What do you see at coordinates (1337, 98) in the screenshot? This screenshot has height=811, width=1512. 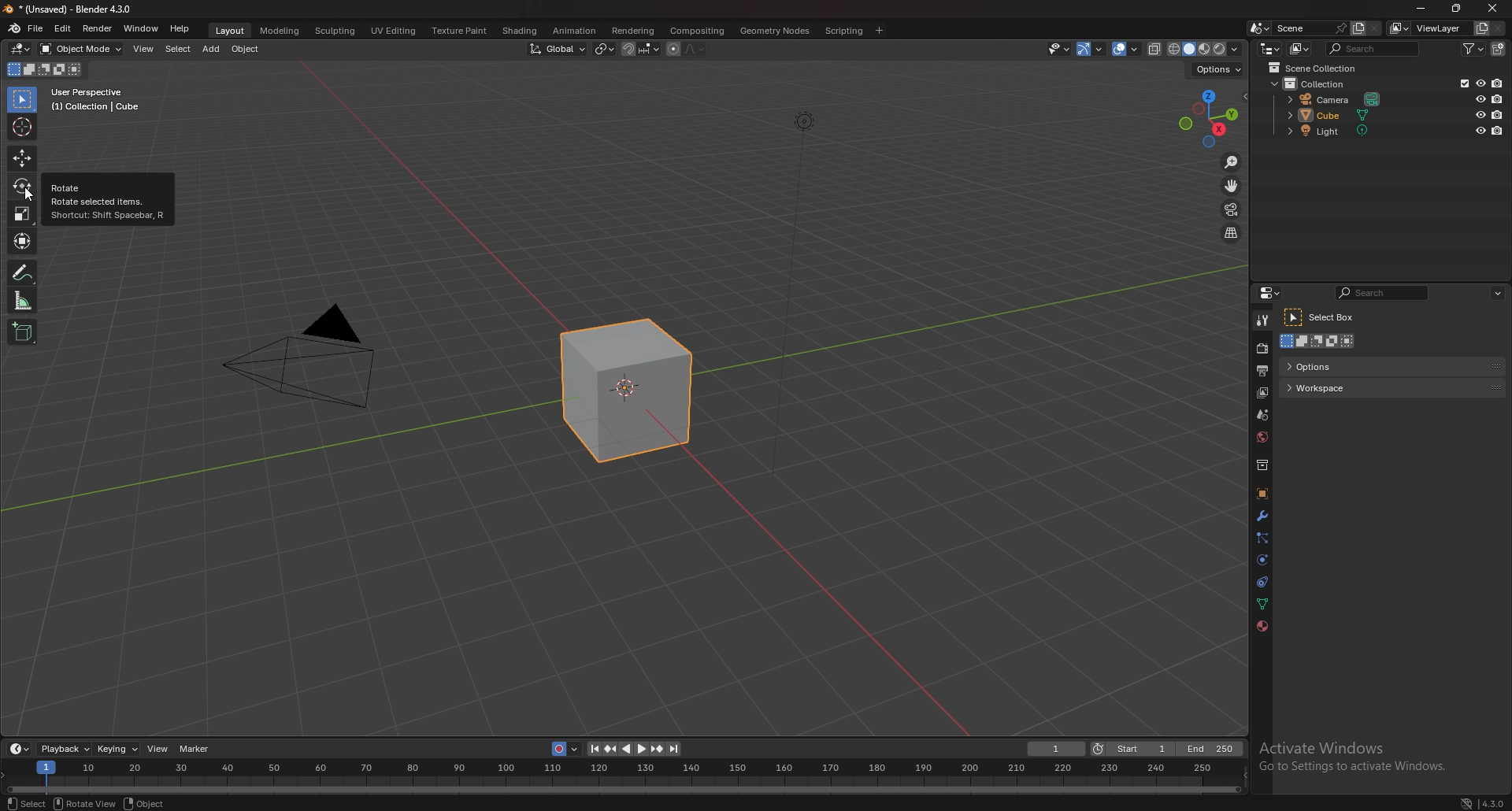 I see `camera` at bounding box center [1337, 98].